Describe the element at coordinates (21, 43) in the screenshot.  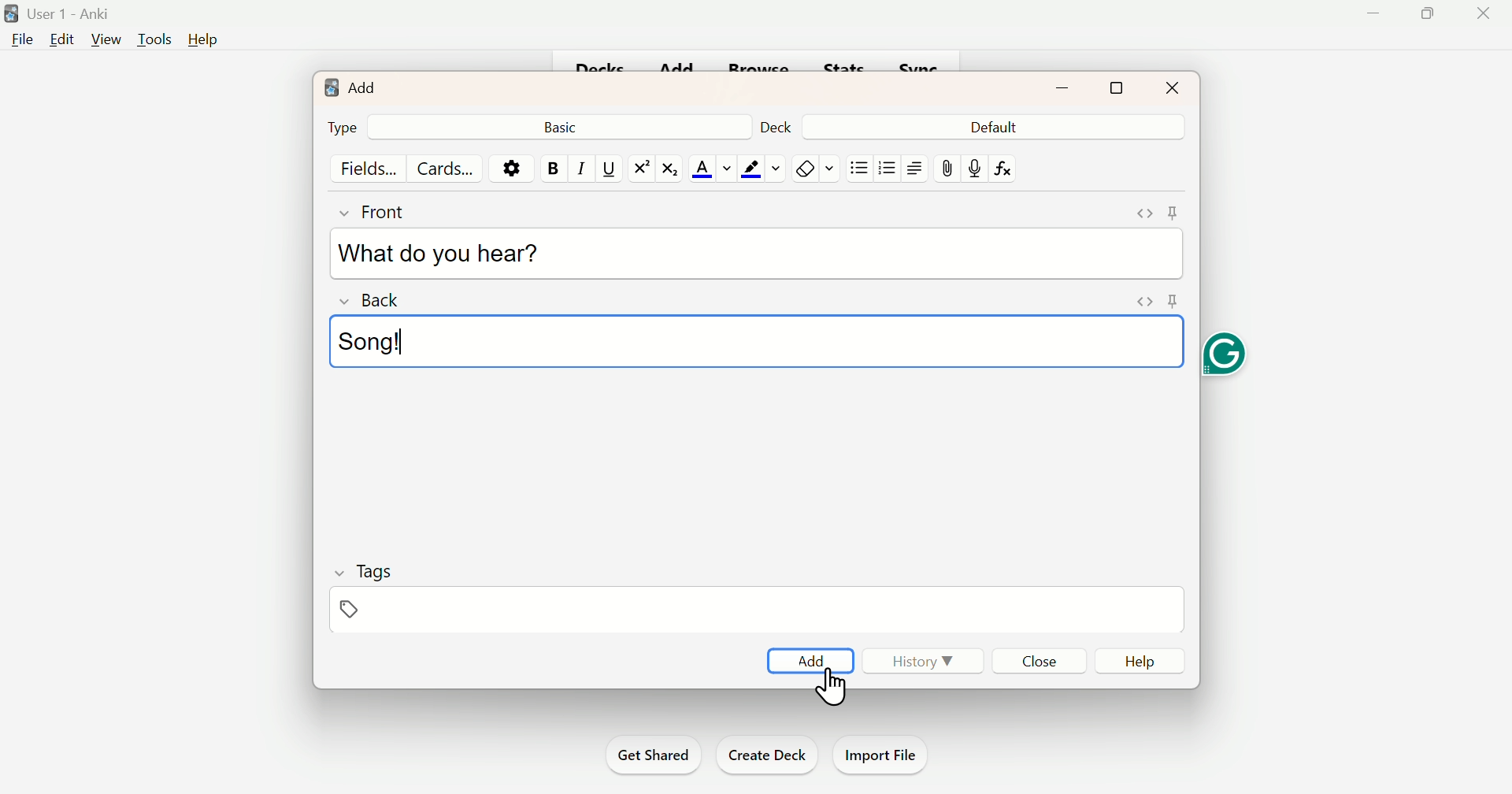
I see `File` at that location.